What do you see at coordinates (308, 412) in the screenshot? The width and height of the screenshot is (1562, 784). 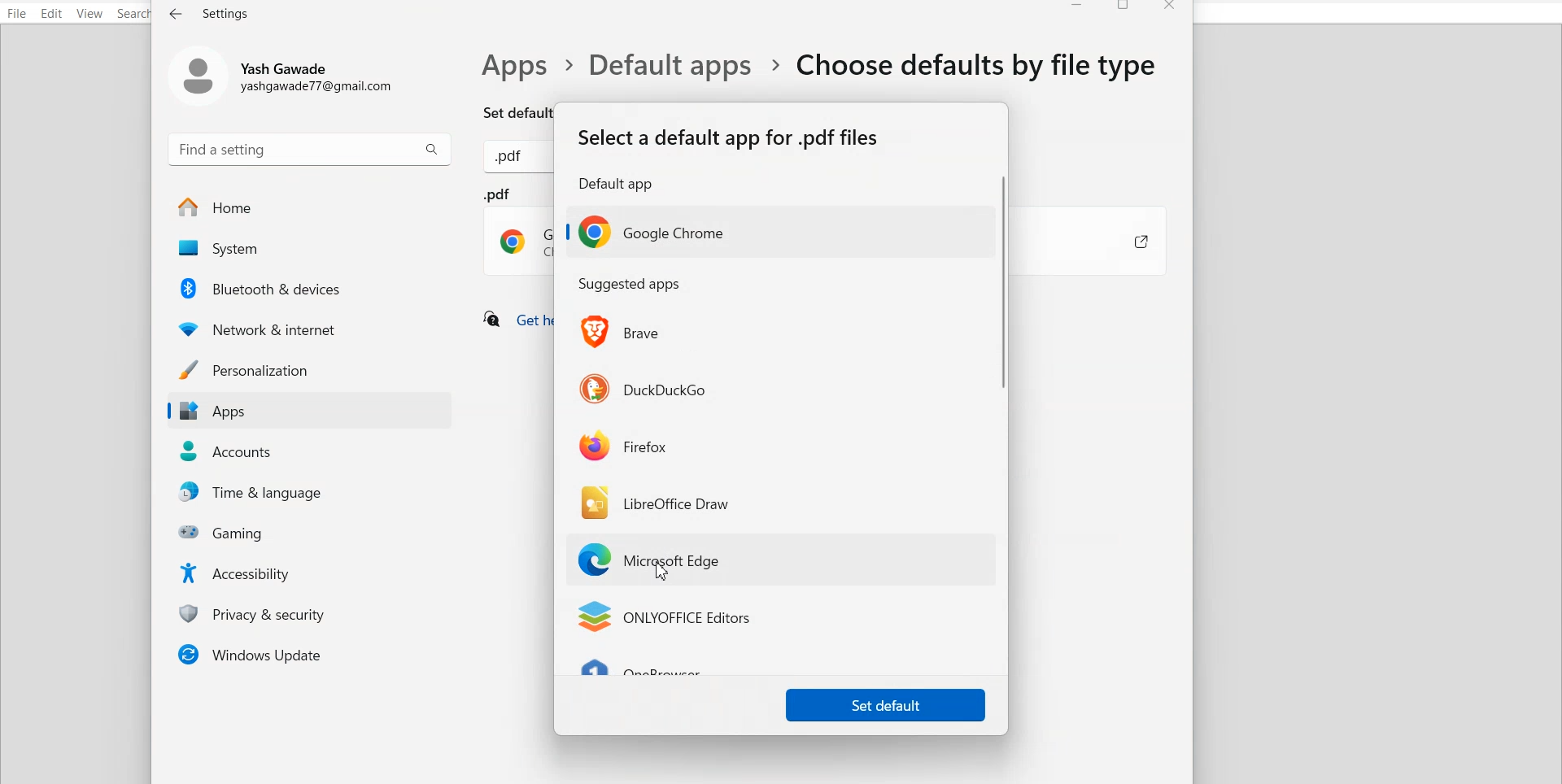 I see `Apps` at bounding box center [308, 412].